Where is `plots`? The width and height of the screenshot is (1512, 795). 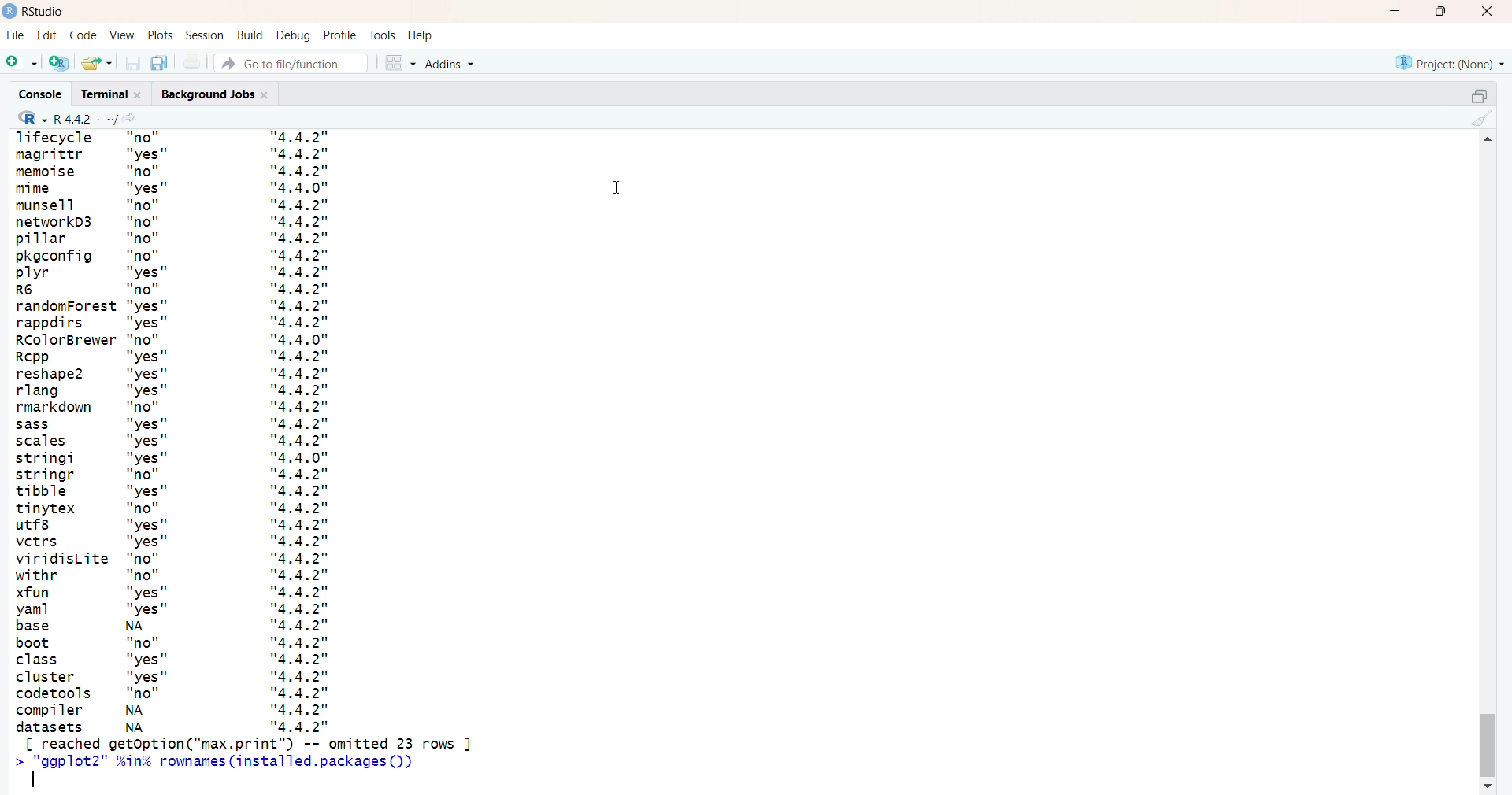 plots is located at coordinates (158, 34).